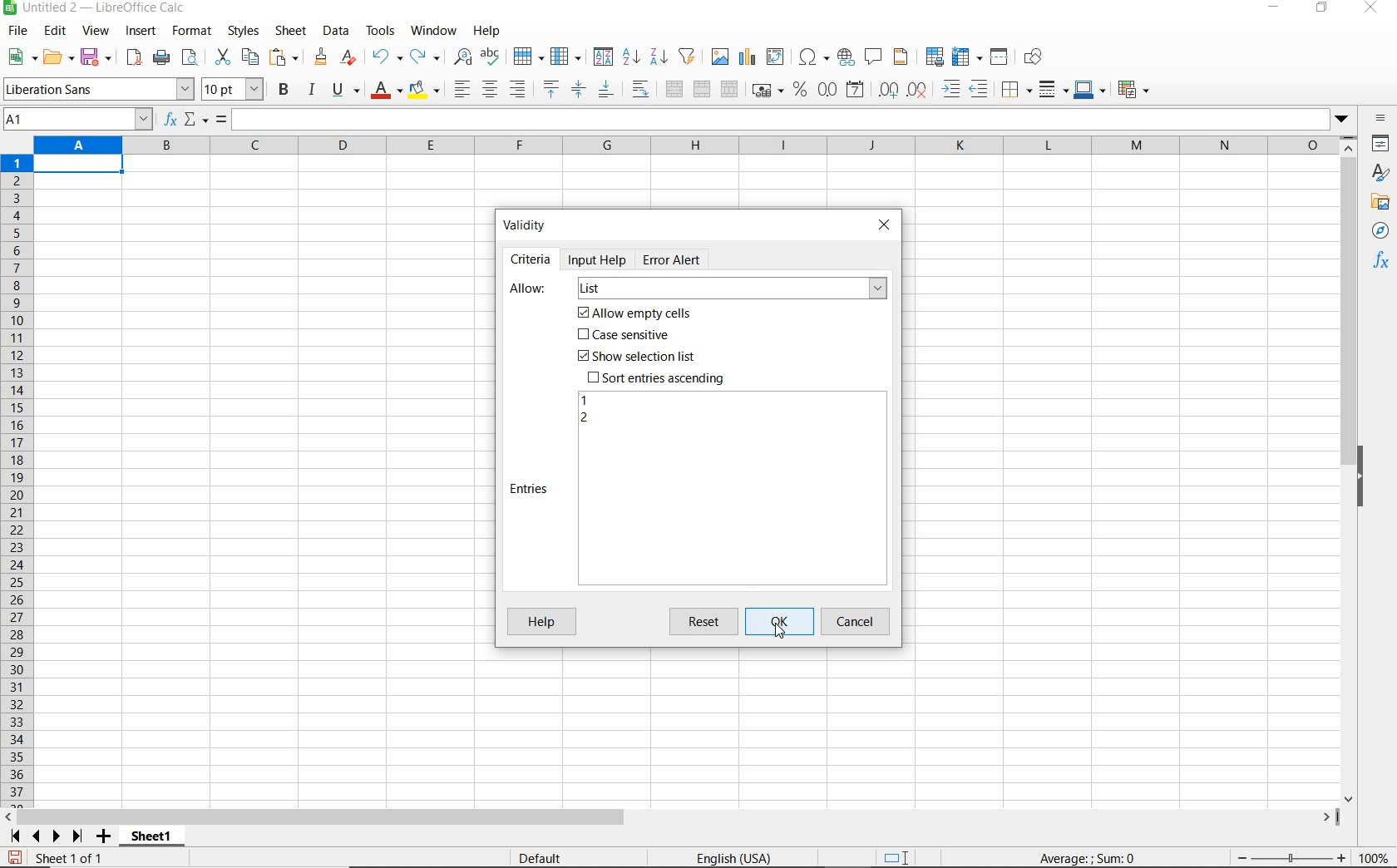  I want to click on scrollbar, so click(671, 817).